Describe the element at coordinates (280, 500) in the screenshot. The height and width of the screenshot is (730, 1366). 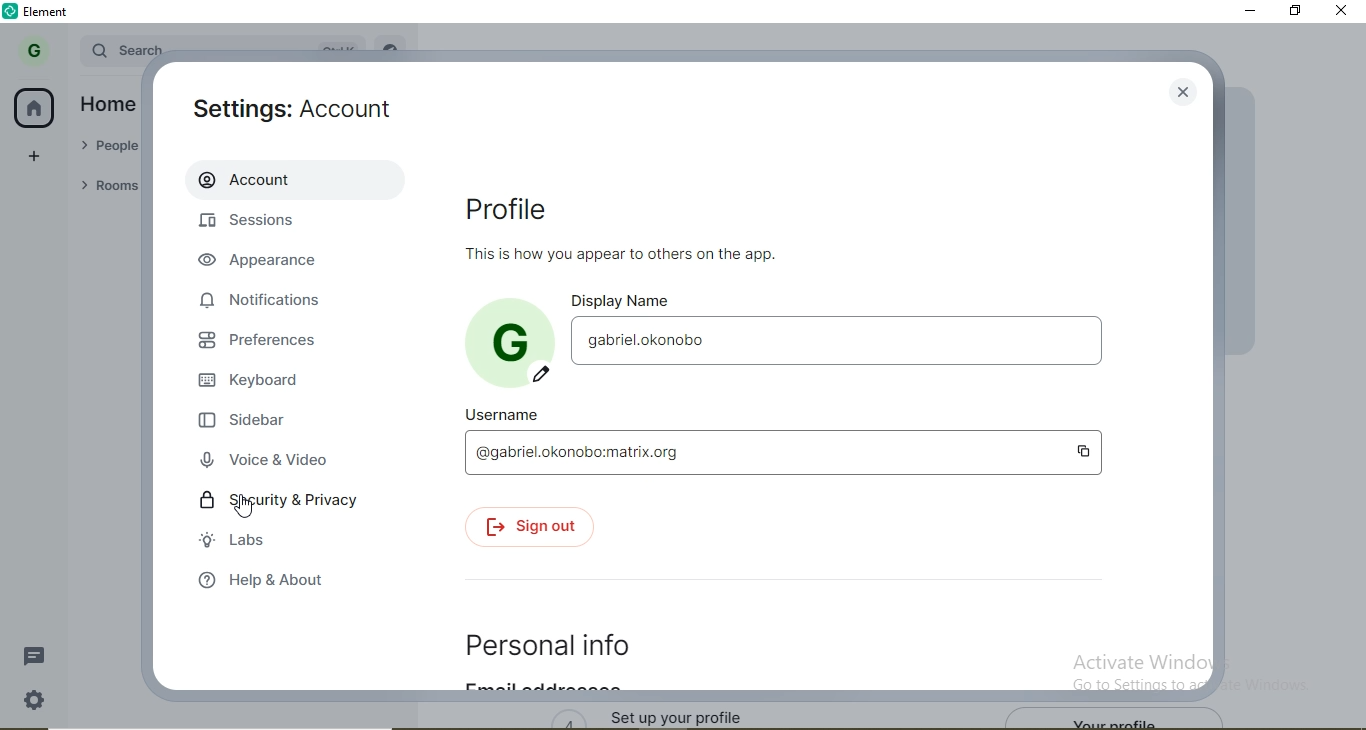
I see `security & privacy` at that location.